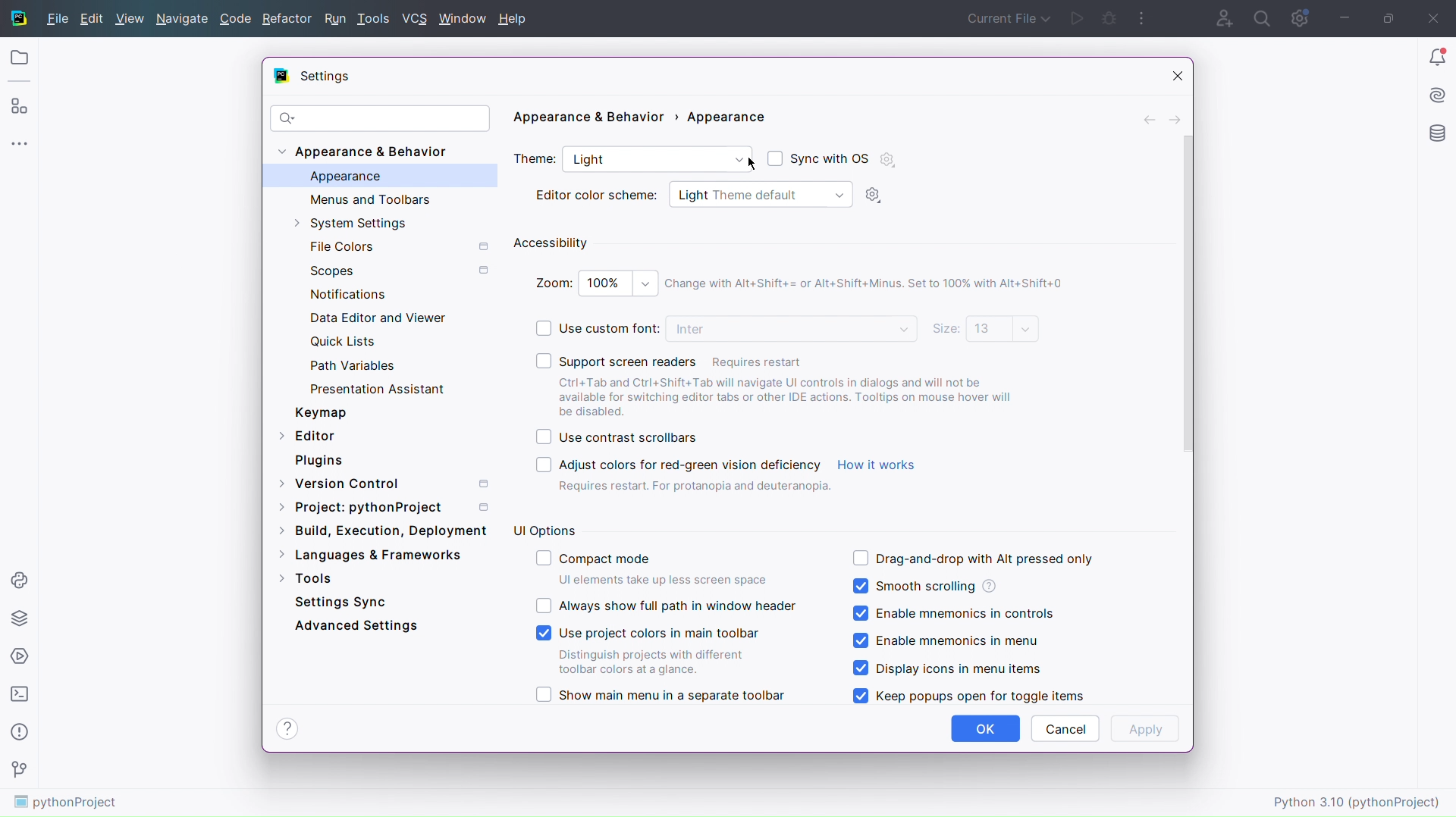 Image resolution: width=1456 pixels, height=817 pixels. What do you see at coordinates (18, 58) in the screenshot?
I see `Open Folder` at bounding box center [18, 58].